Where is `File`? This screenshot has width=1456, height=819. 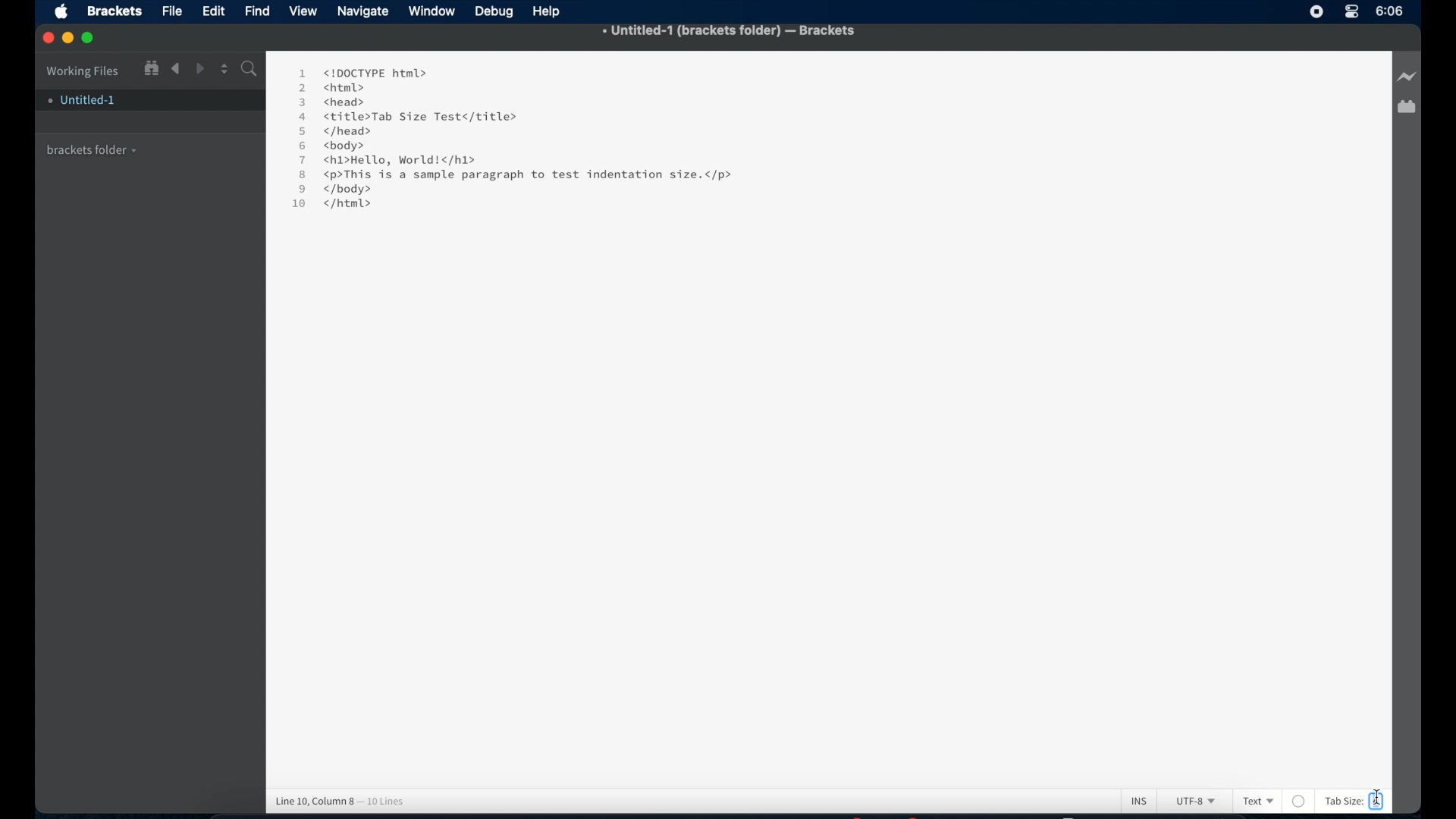 File is located at coordinates (172, 12).